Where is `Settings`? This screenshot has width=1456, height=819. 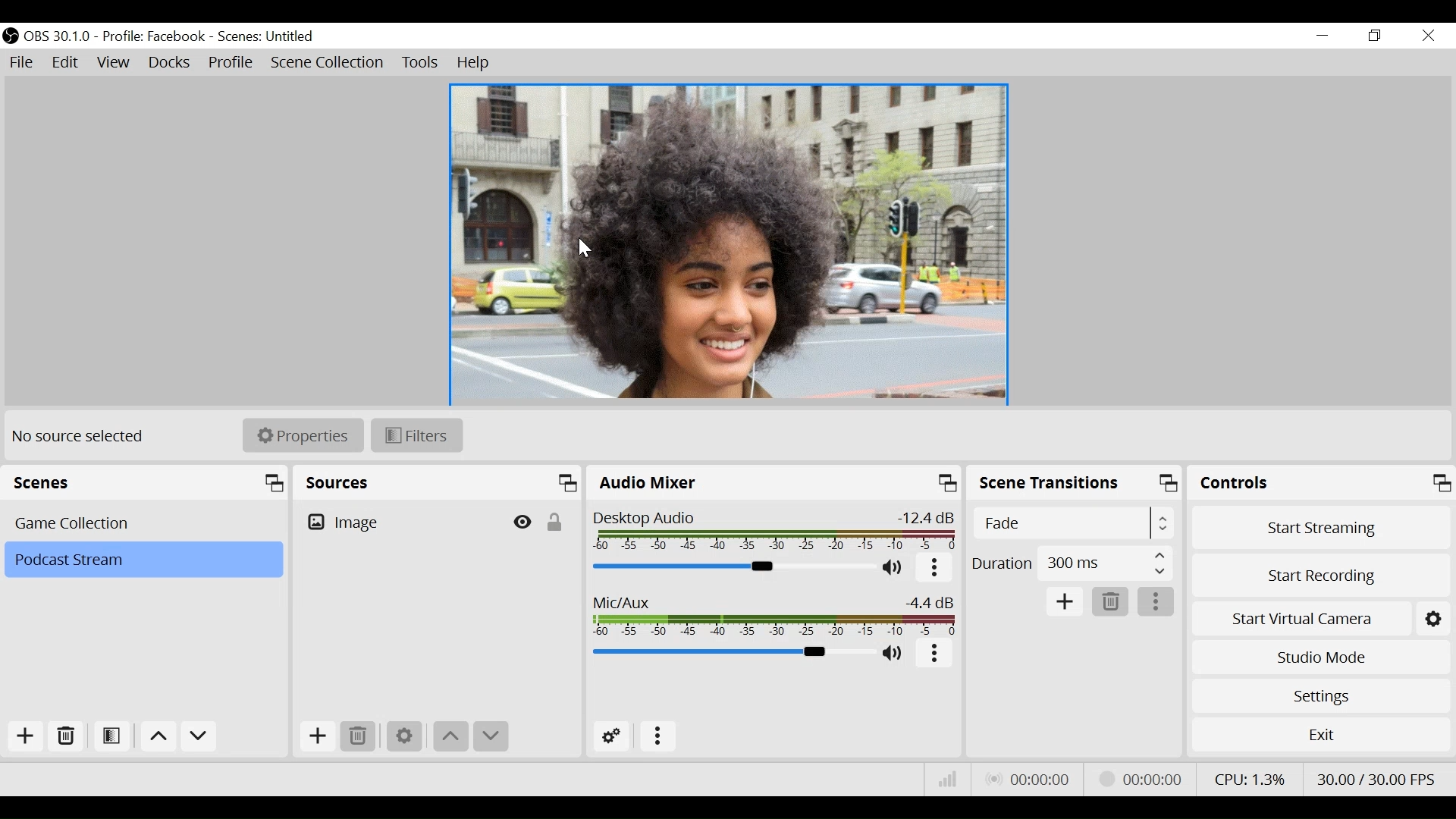
Settings is located at coordinates (406, 739).